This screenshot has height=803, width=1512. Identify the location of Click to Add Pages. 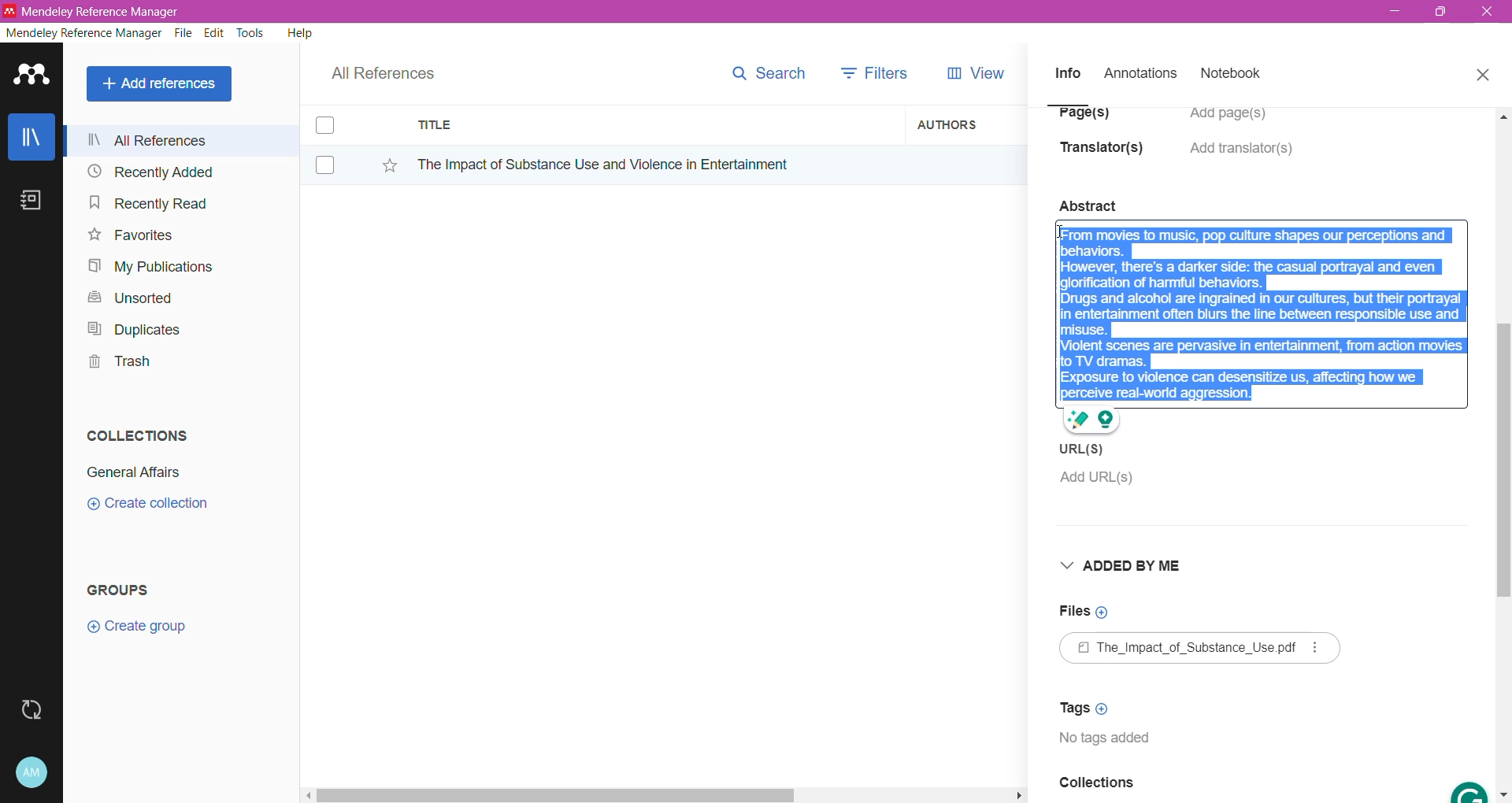
(1236, 121).